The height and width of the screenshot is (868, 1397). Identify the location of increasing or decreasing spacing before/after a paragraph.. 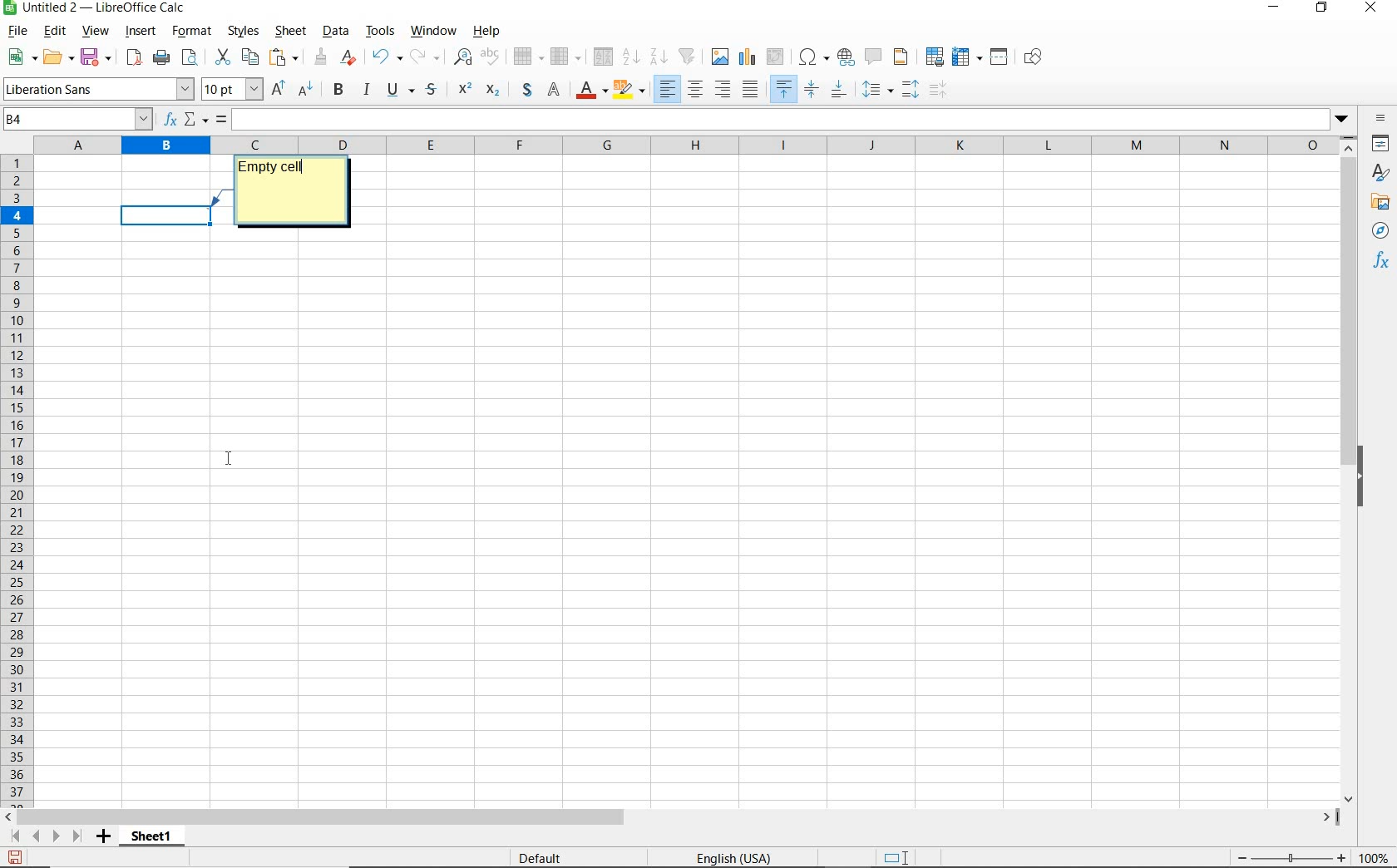
(937, 90).